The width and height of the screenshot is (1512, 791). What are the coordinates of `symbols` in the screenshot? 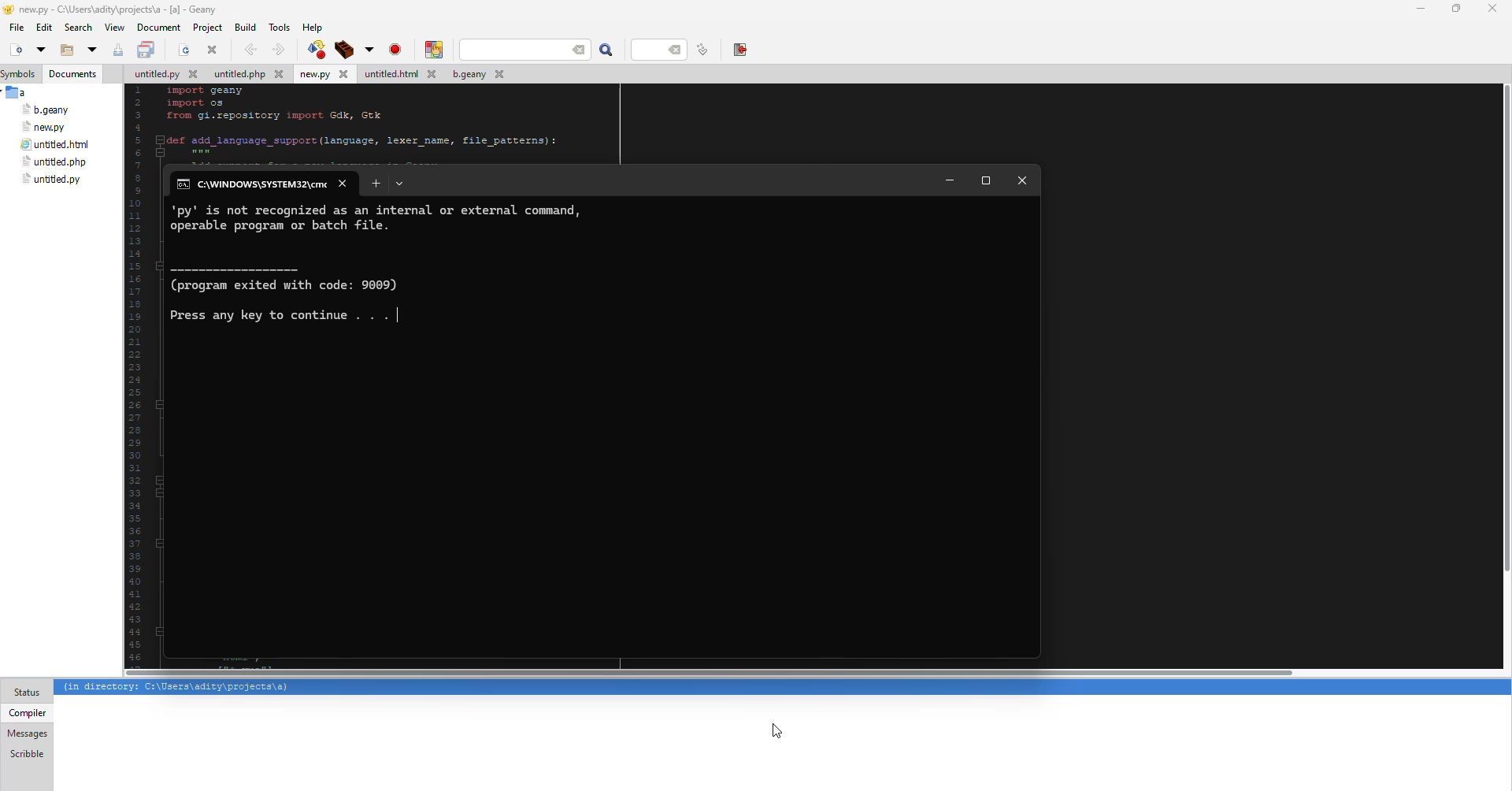 It's located at (18, 74).